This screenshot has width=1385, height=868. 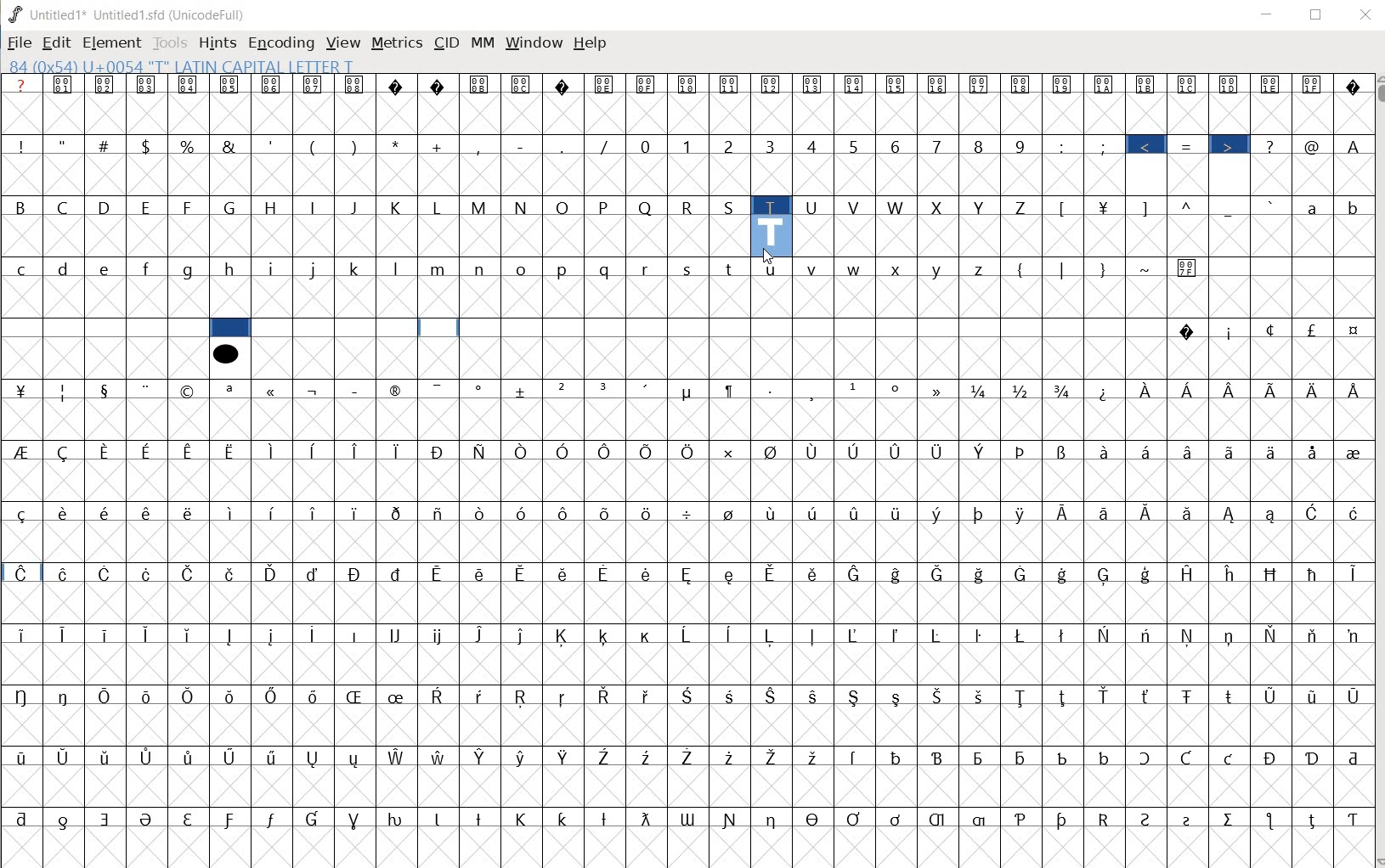 I want to click on Symbol, so click(x=231, y=758).